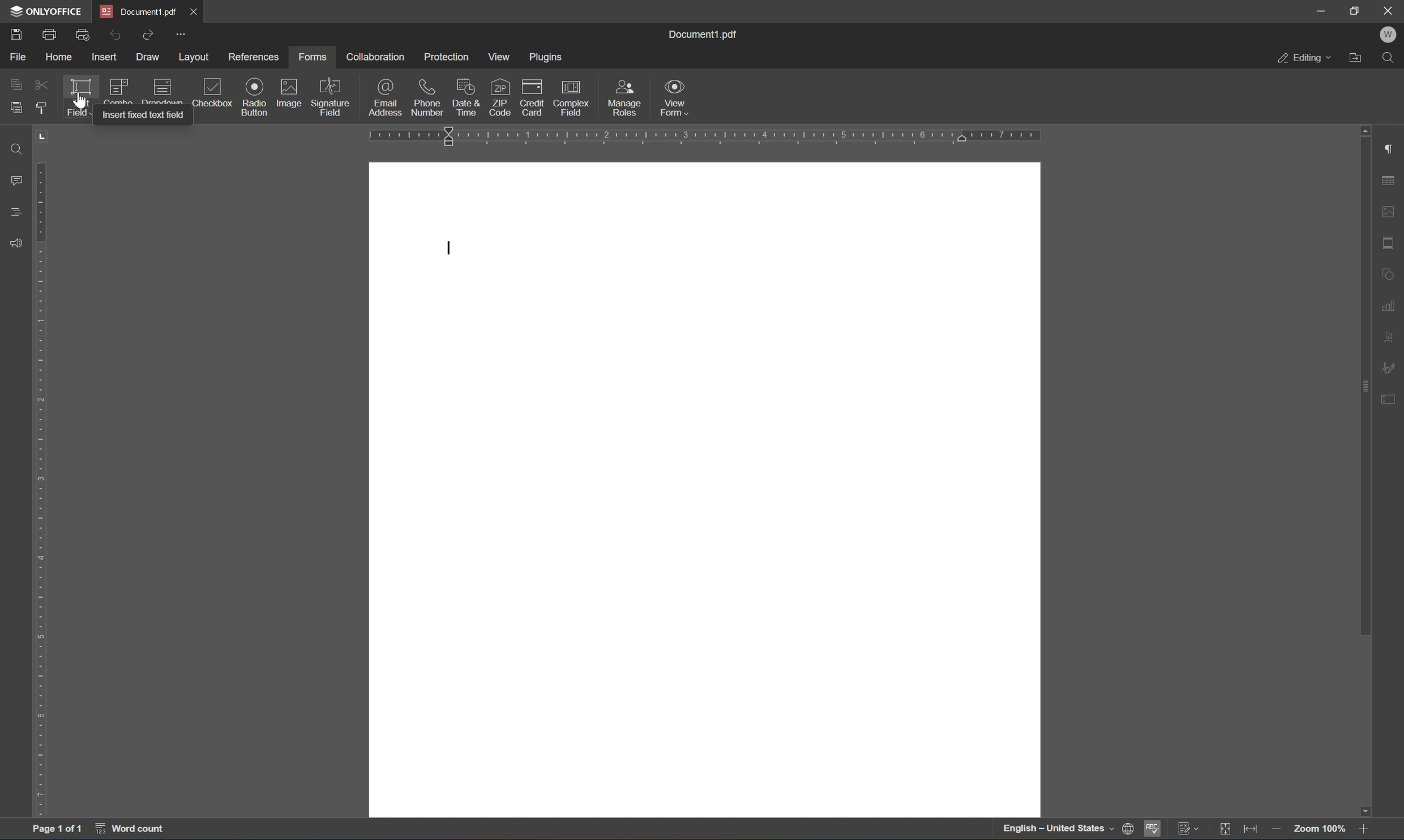 The width and height of the screenshot is (1404, 840). I want to click on typing cursor, so click(450, 248).